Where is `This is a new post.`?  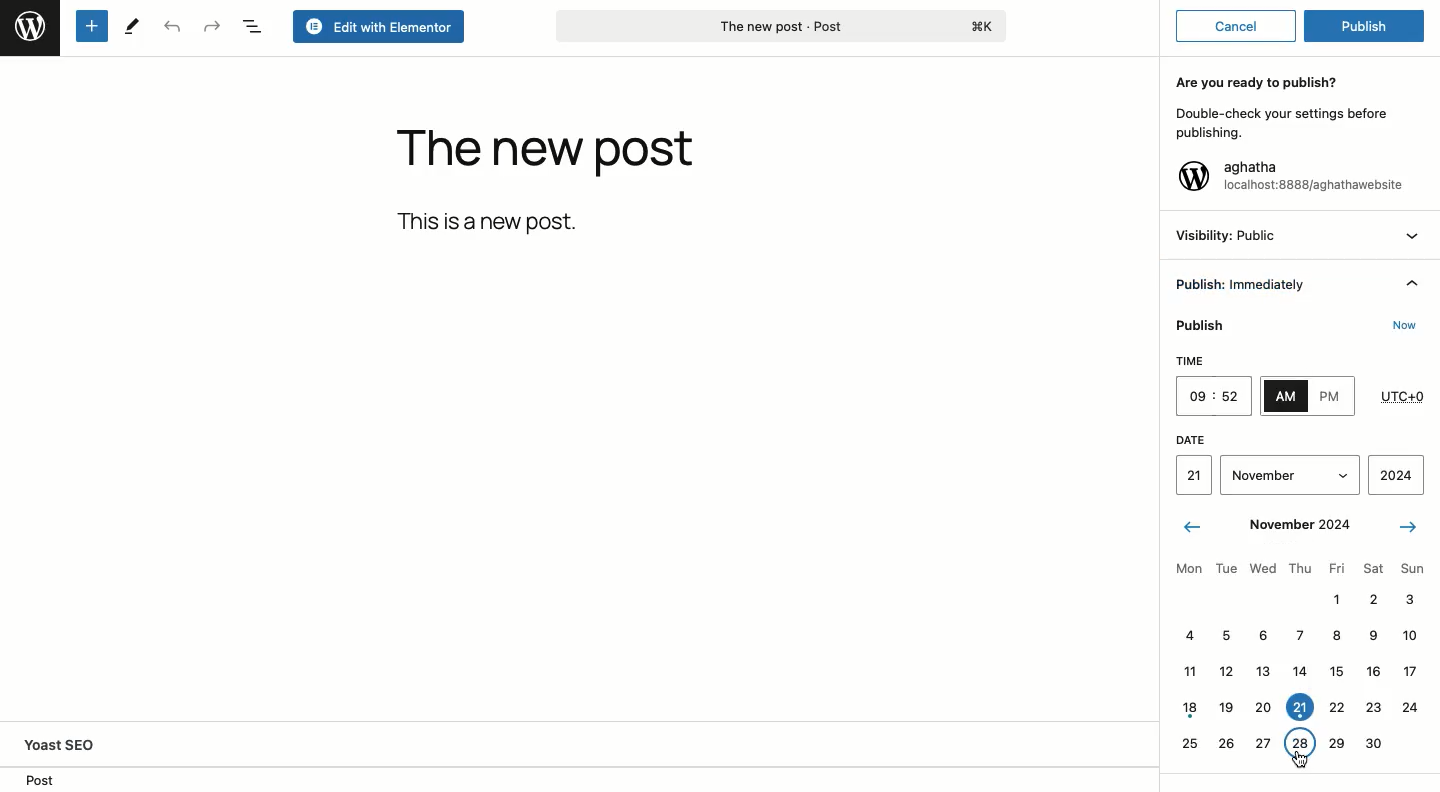
This is a new post. is located at coordinates (492, 221).